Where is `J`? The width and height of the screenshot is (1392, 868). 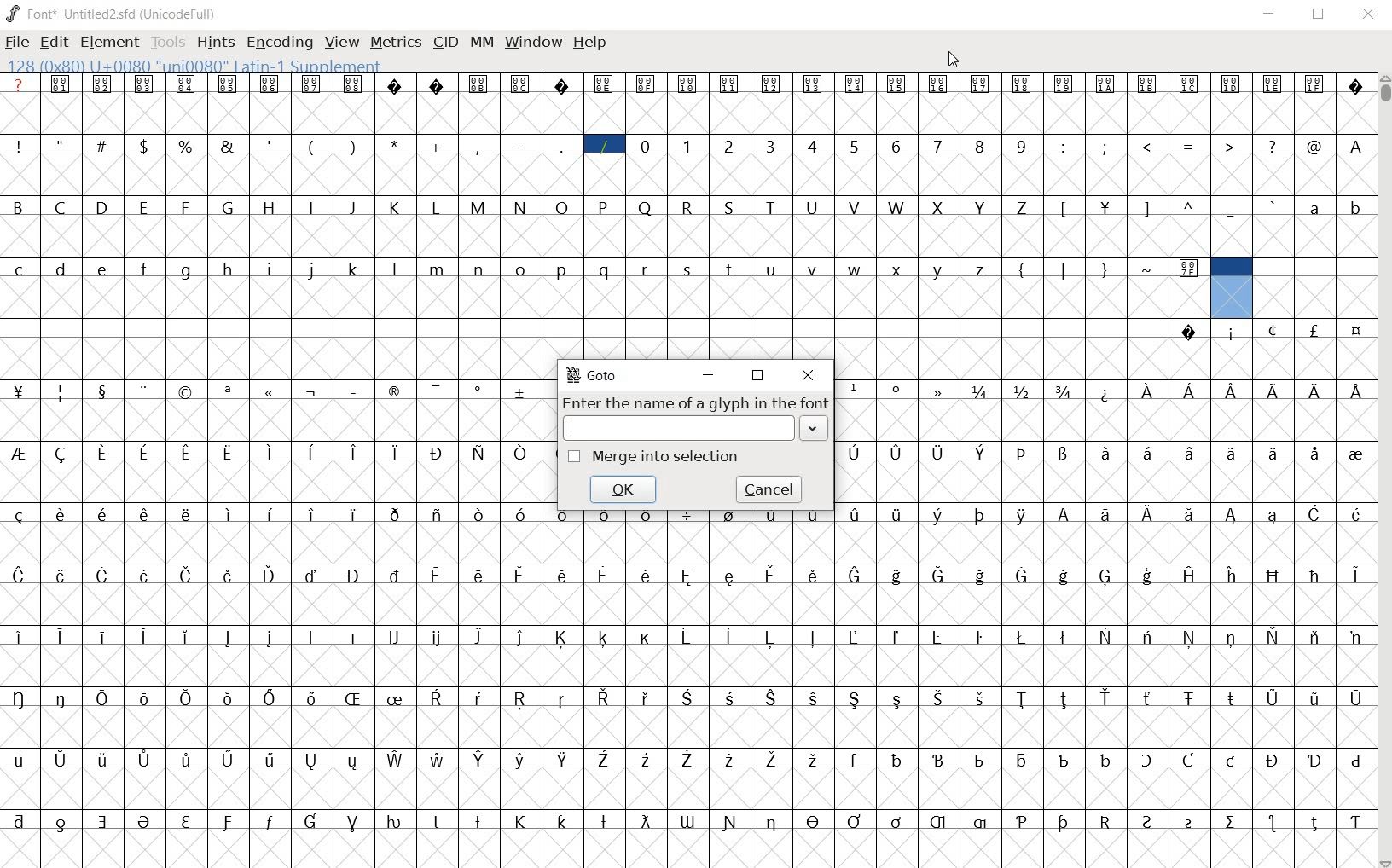 J is located at coordinates (354, 207).